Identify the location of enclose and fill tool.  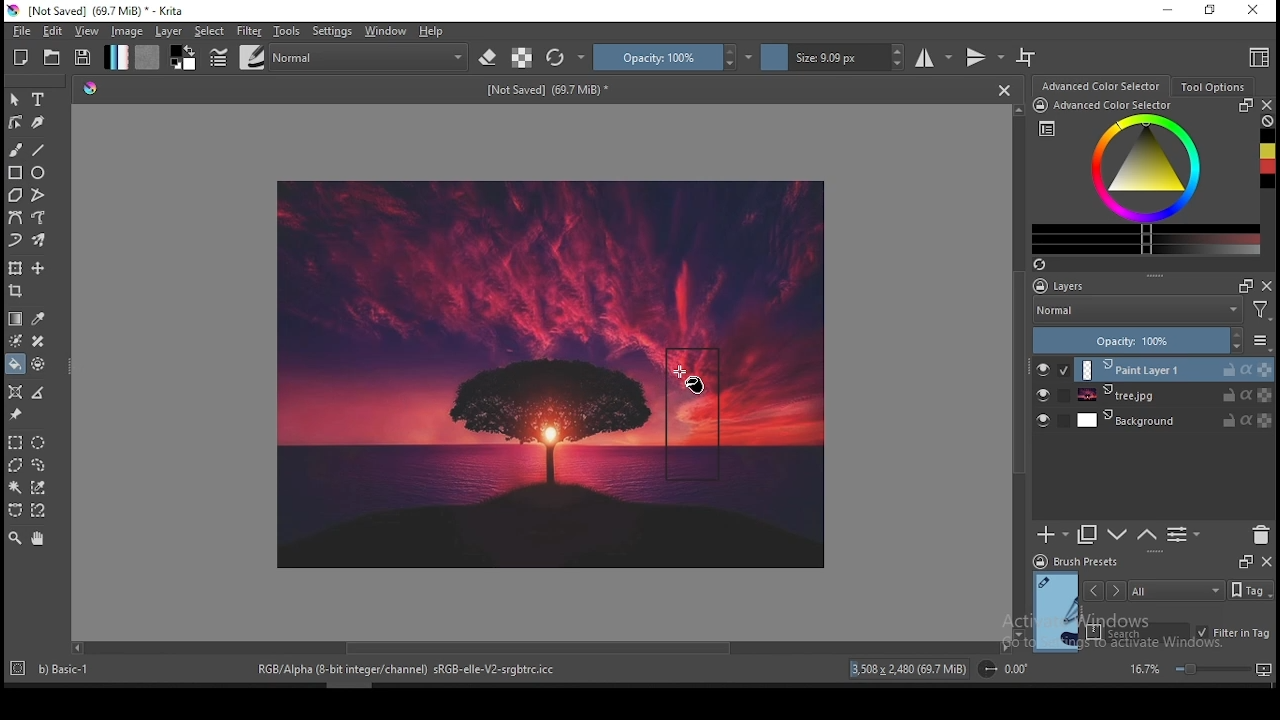
(41, 364).